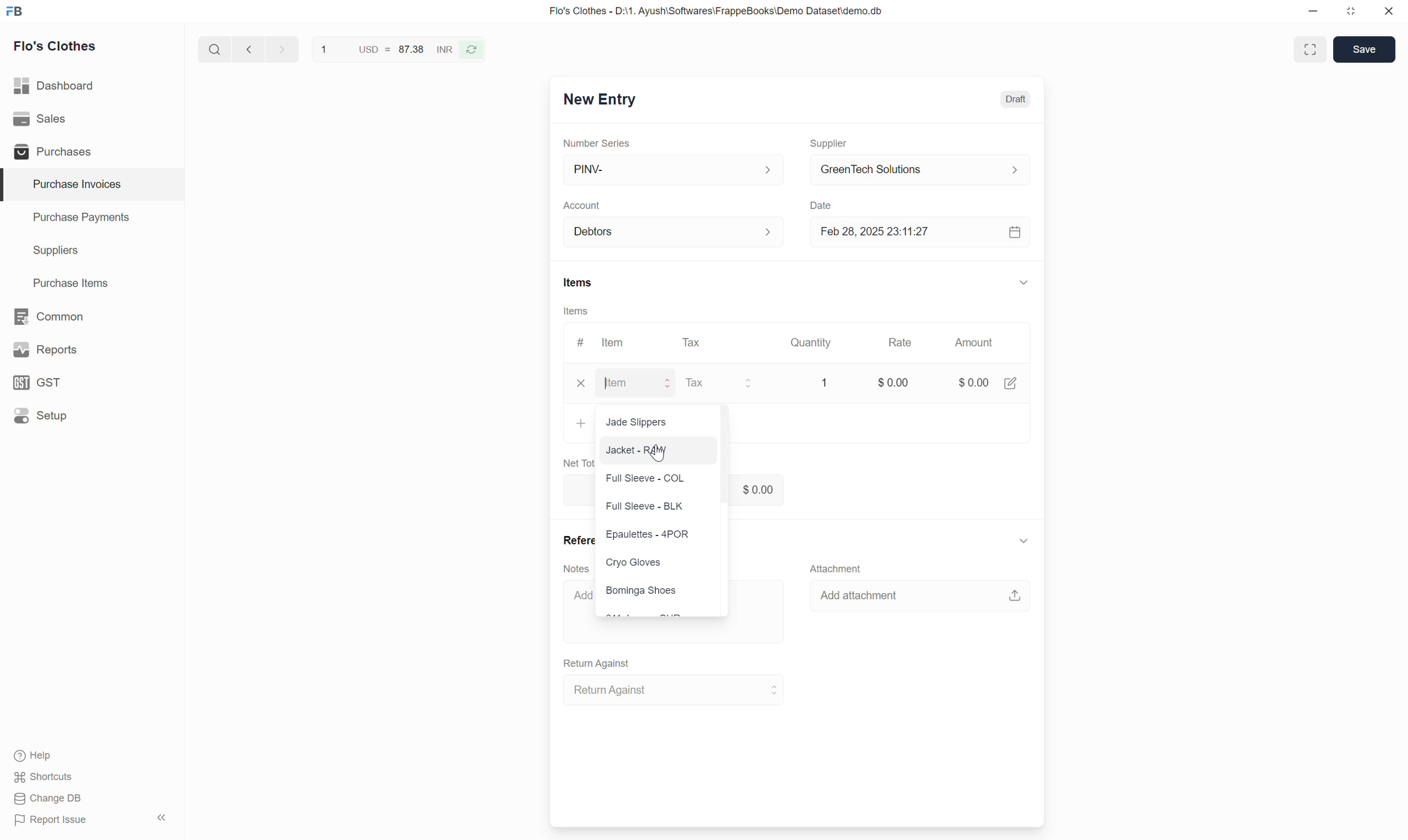 The height and width of the screenshot is (840, 1408). What do you see at coordinates (921, 169) in the screenshot?
I see `GreenTech Solutions` at bounding box center [921, 169].